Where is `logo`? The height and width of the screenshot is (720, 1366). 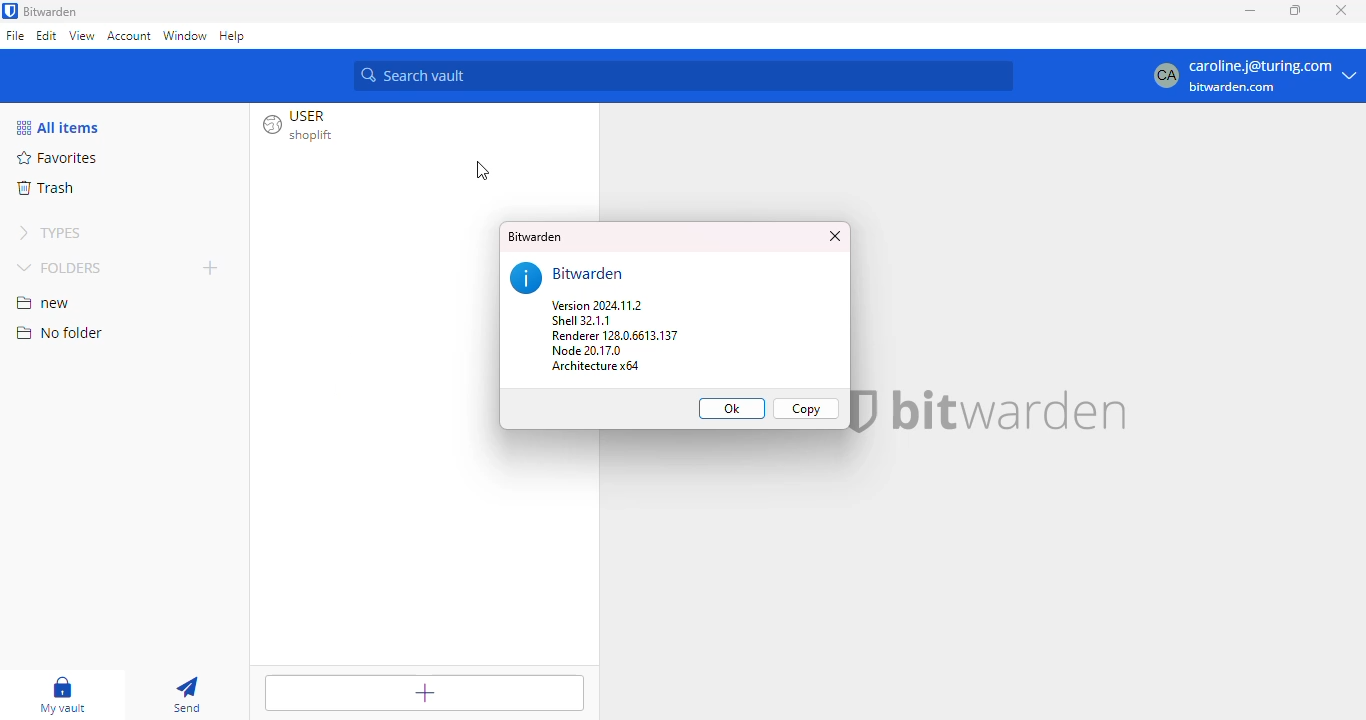
logo is located at coordinates (10, 11).